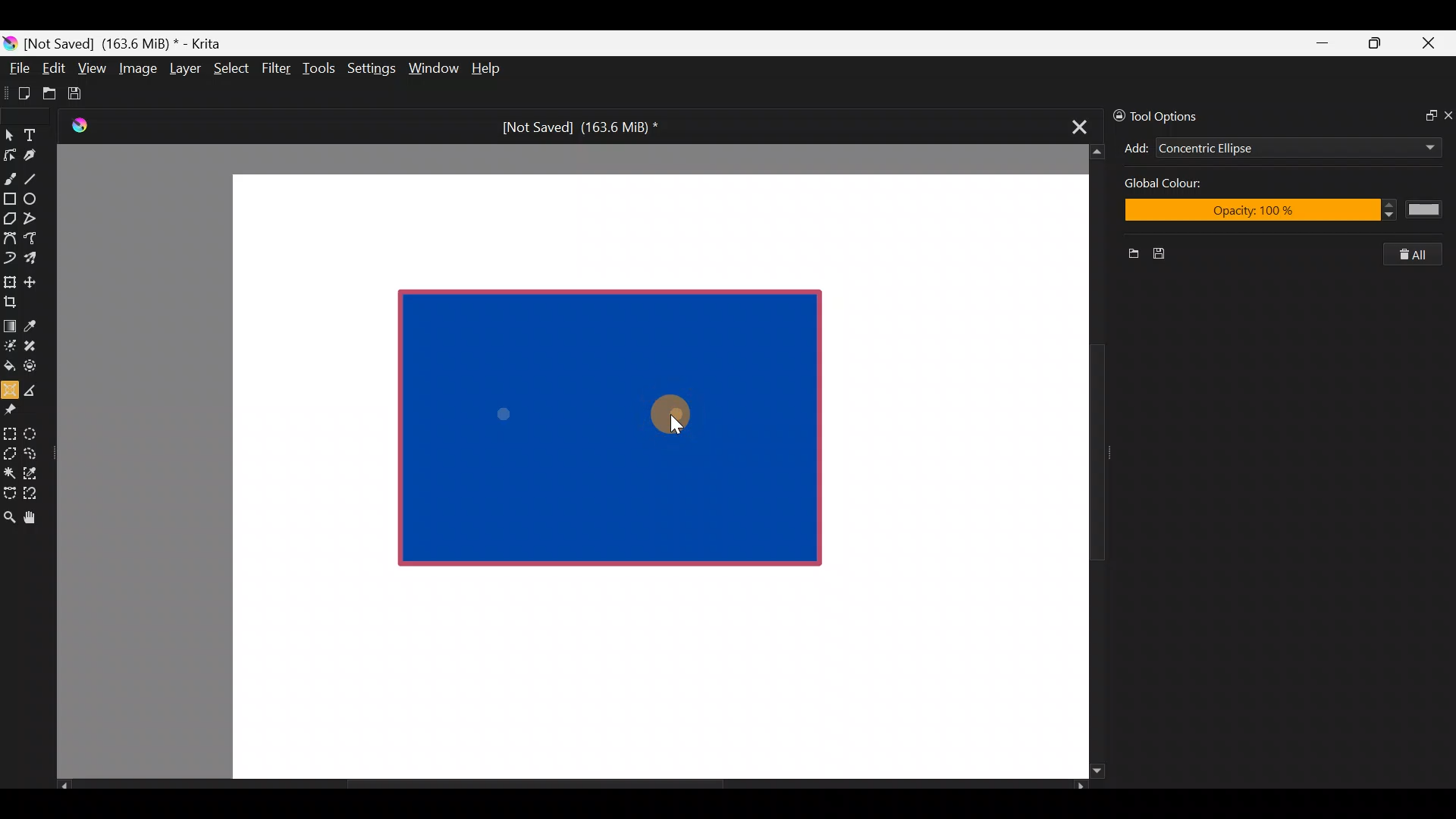 The height and width of the screenshot is (819, 1456). What do you see at coordinates (574, 127) in the screenshot?
I see `[Not Saved] (163.6 MiB) *` at bounding box center [574, 127].